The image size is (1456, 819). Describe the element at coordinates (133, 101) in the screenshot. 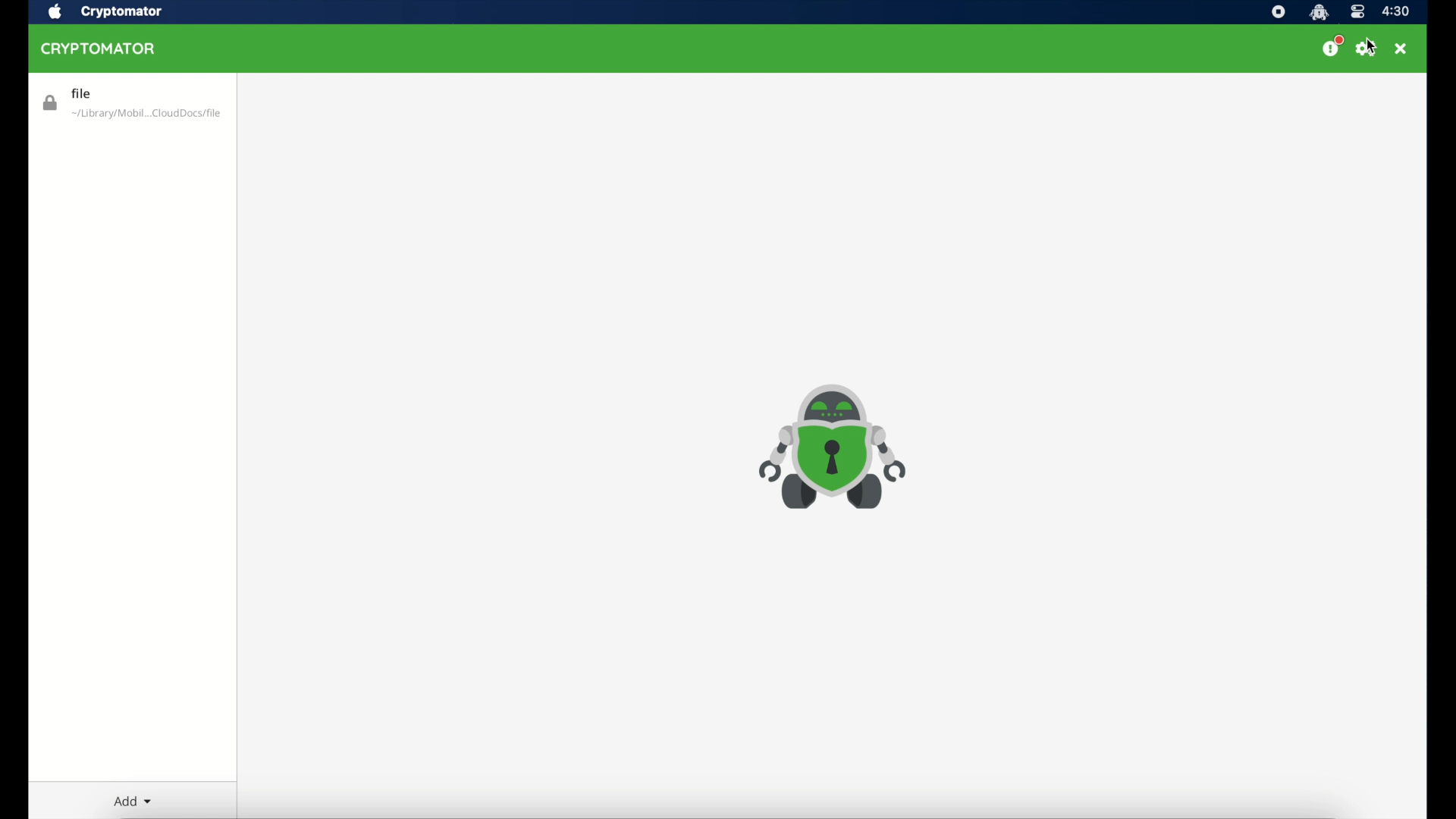

I see `file` at that location.